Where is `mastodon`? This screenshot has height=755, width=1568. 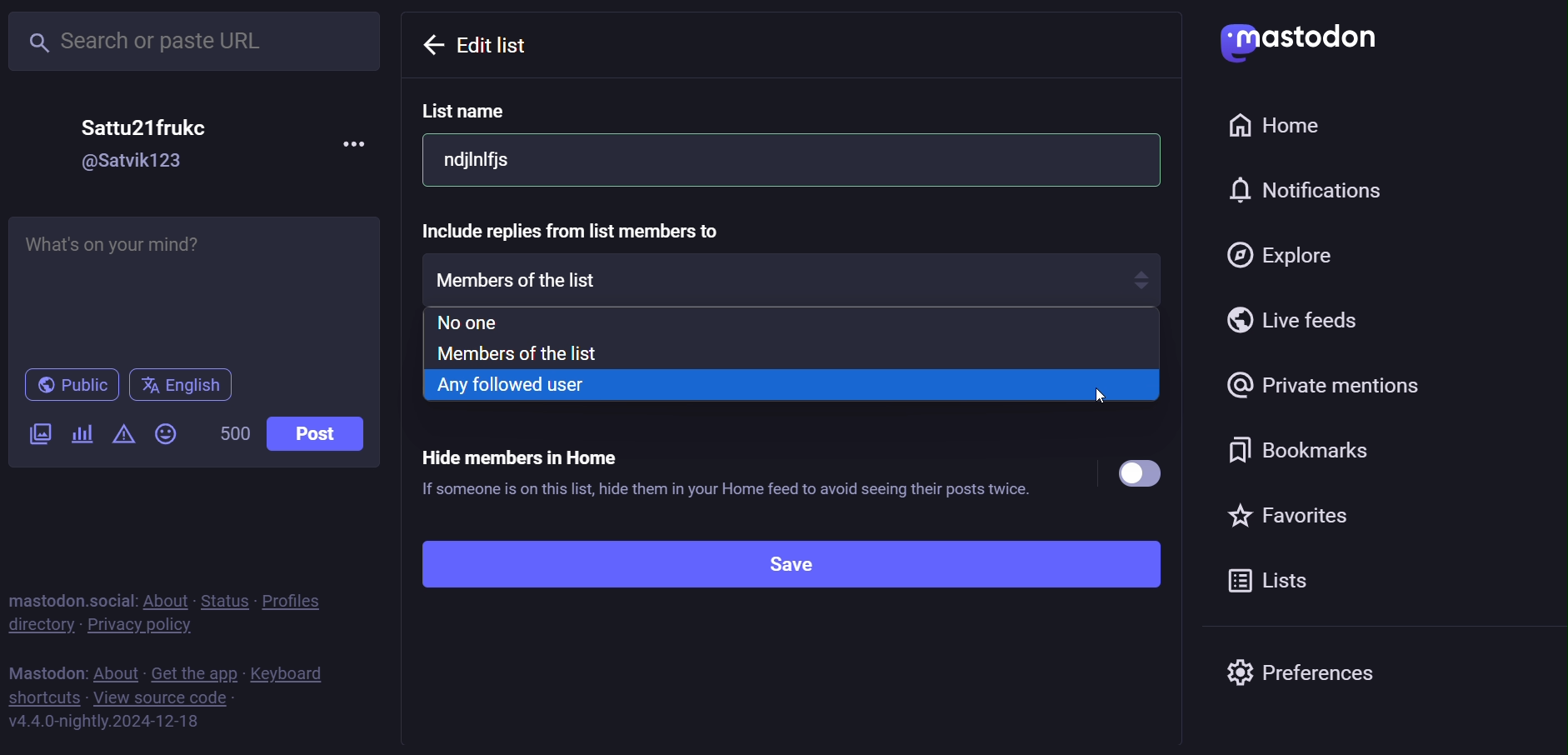
mastodon is located at coordinates (43, 671).